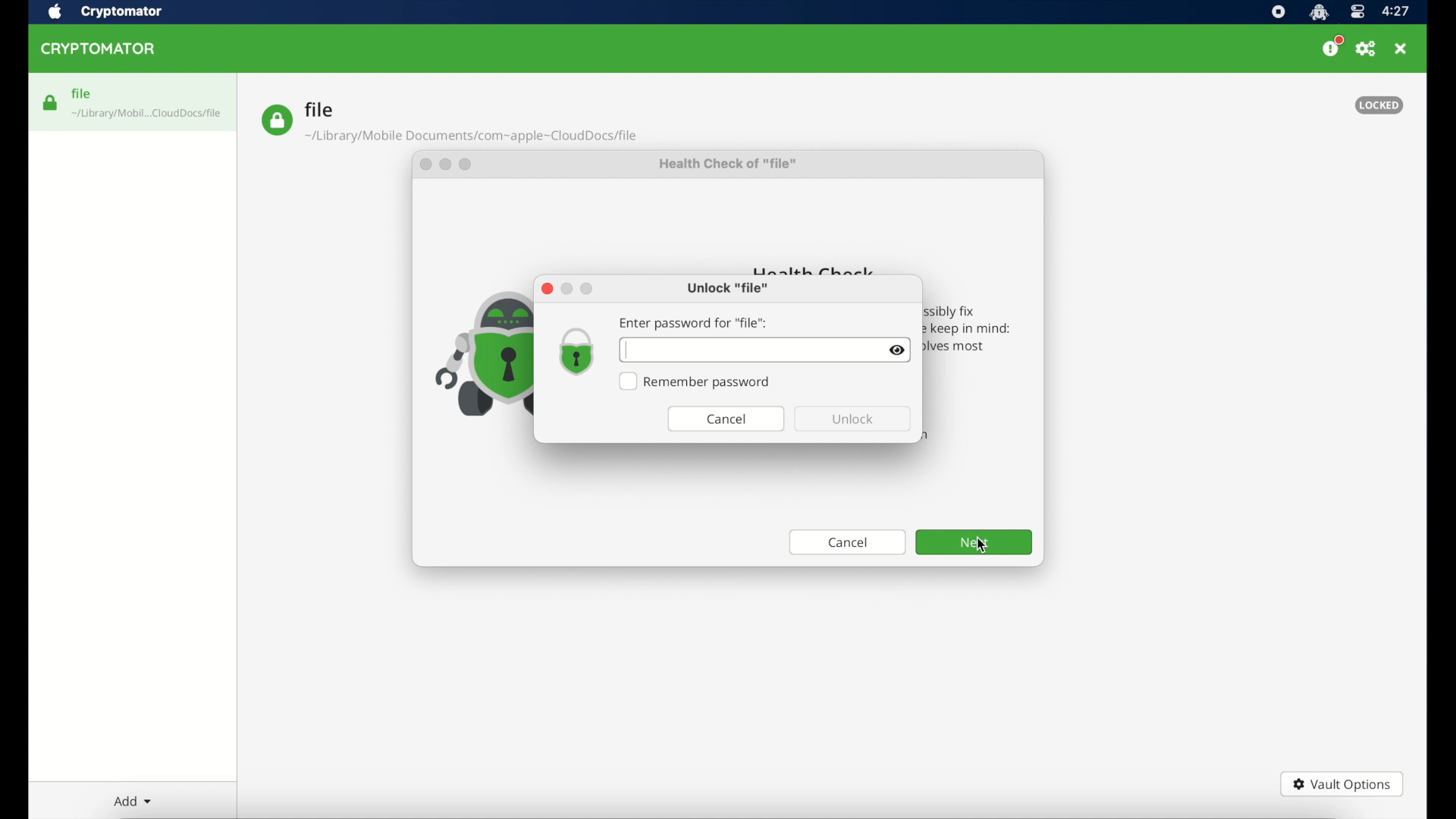 The height and width of the screenshot is (819, 1456). What do you see at coordinates (133, 102) in the screenshot?
I see `file highlighted` at bounding box center [133, 102].